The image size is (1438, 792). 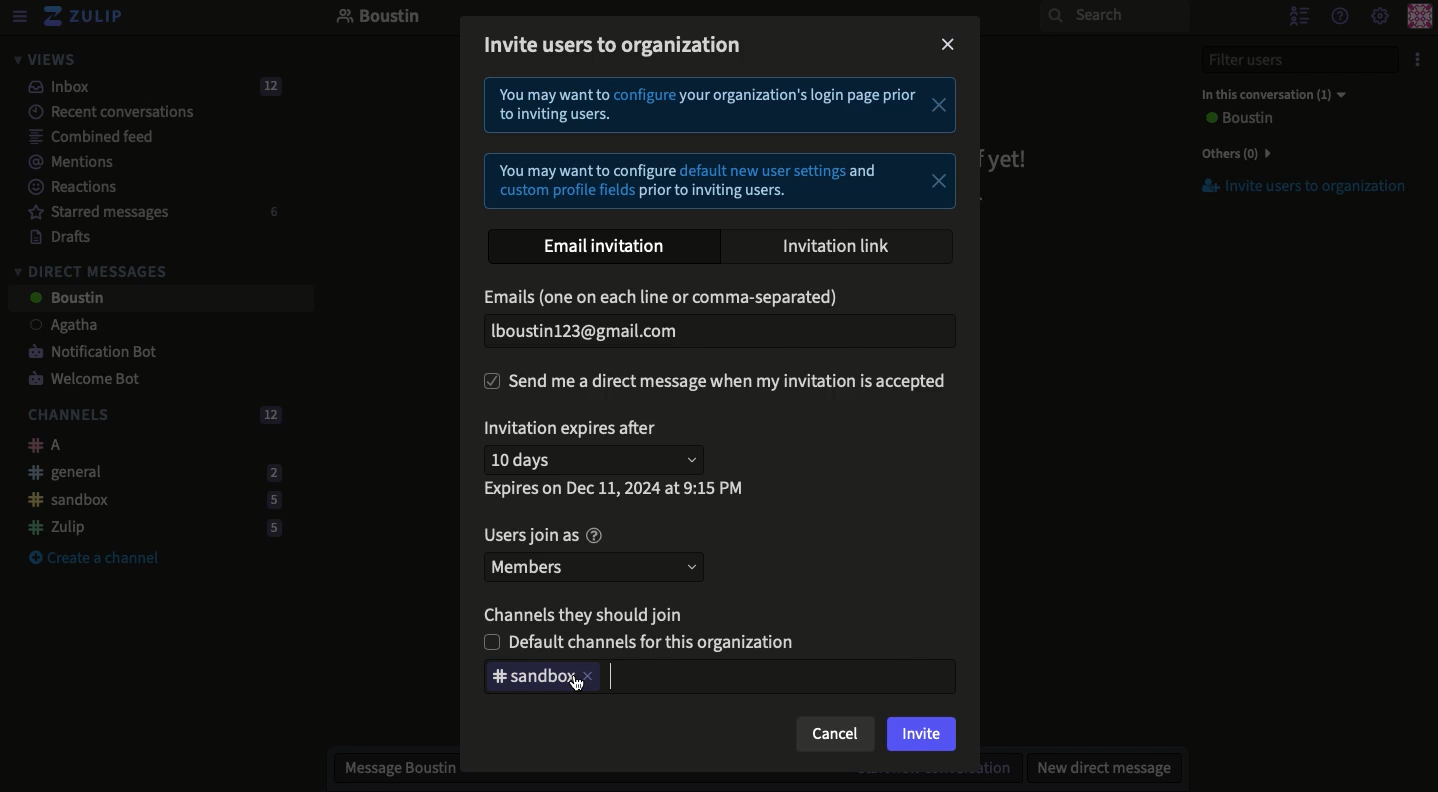 I want to click on Hide users list, so click(x=1297, y=15).